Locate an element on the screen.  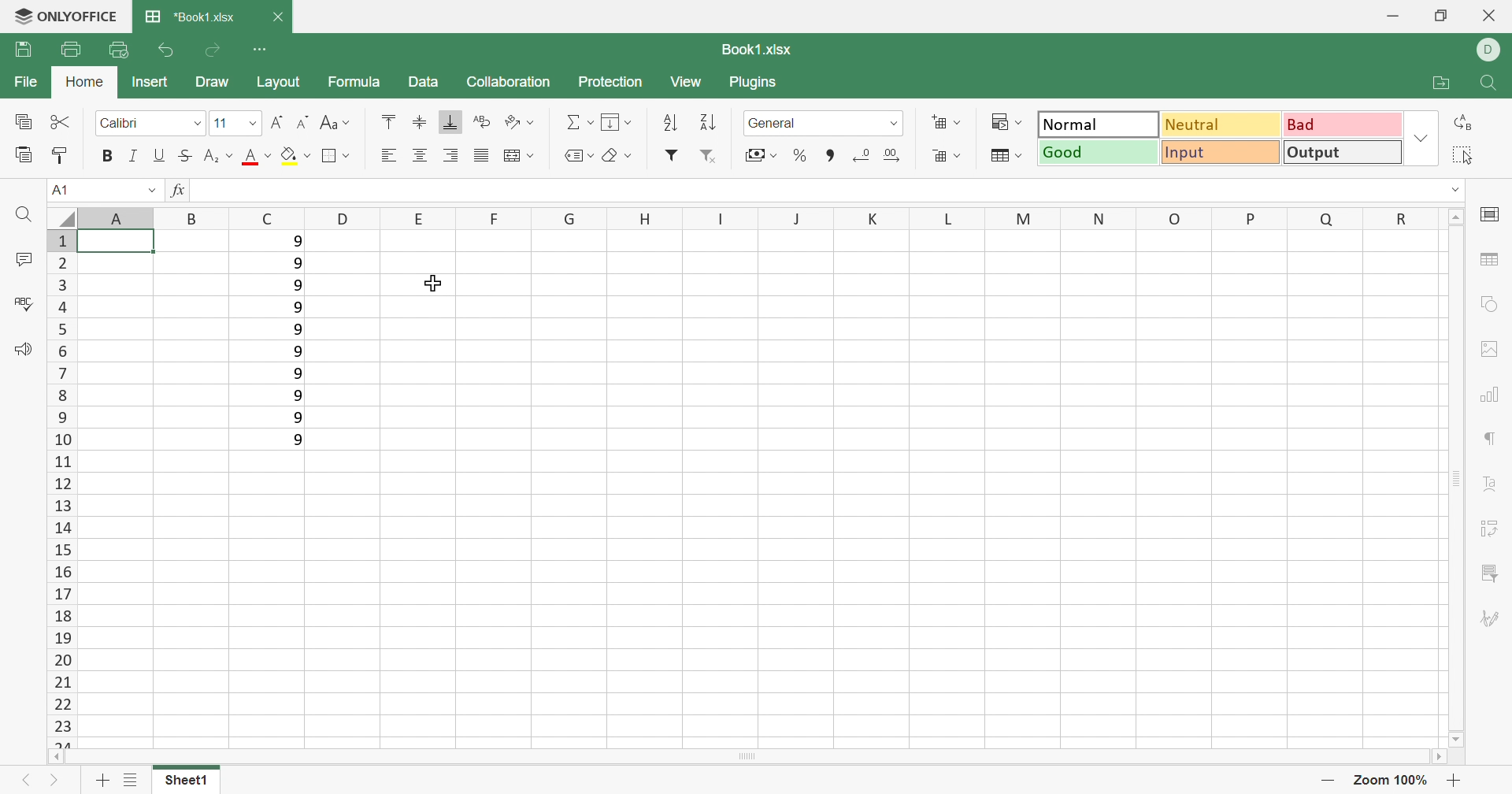
Increase decimals is located at coordinates (897, 155).